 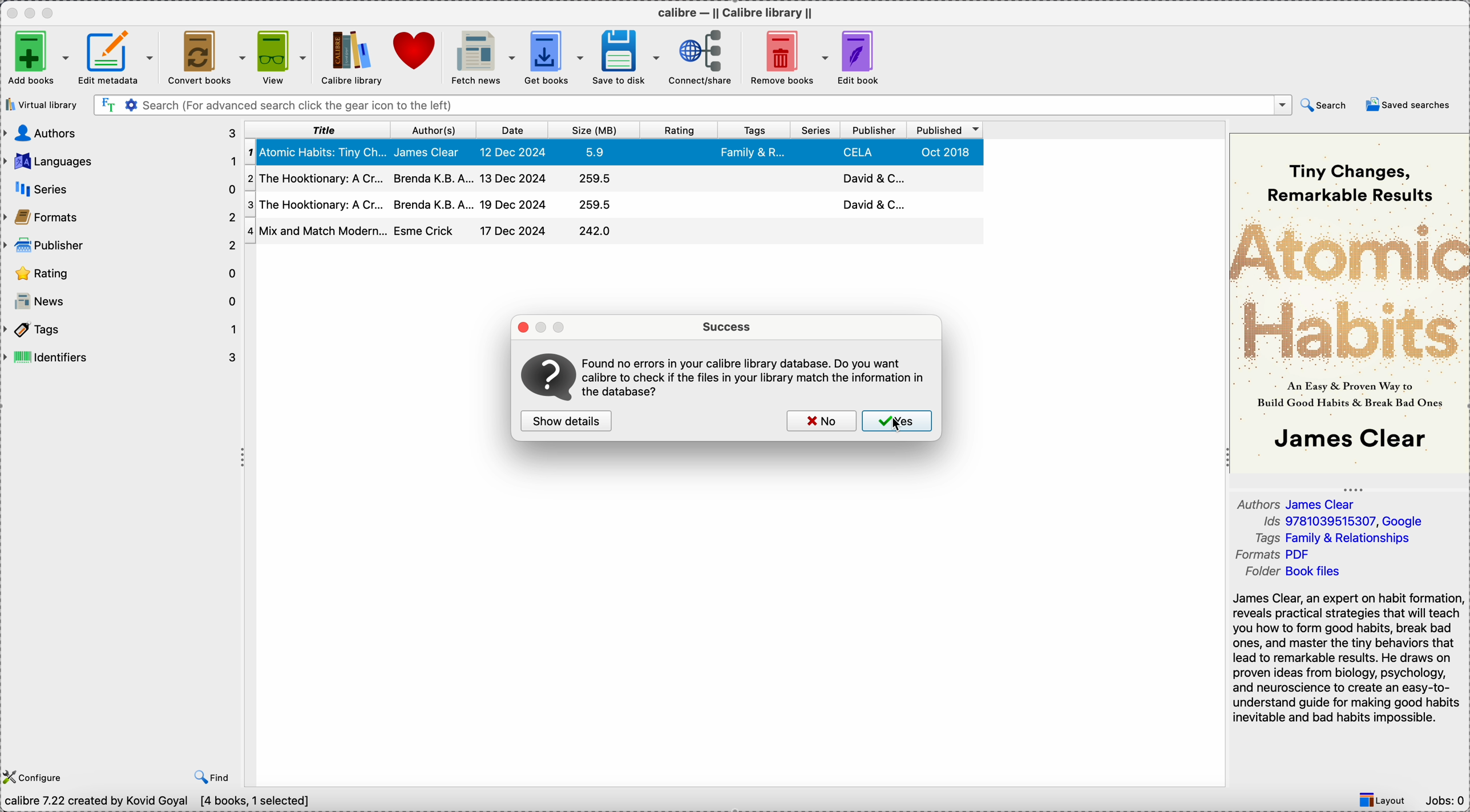 What do you see at coordinates (627, 58) in the screenshot?
I see `save to disk` at bounding box center [627, 58].